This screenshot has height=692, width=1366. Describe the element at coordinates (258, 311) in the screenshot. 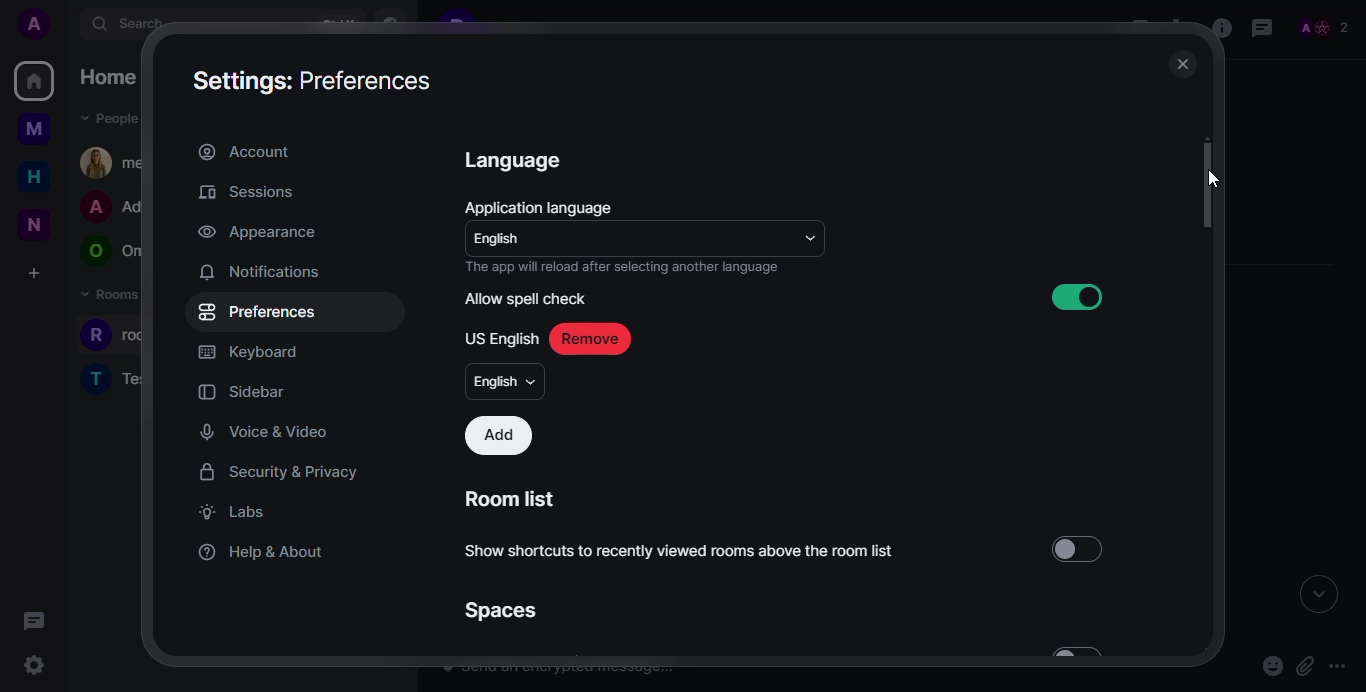

I see `preferences` at that location.